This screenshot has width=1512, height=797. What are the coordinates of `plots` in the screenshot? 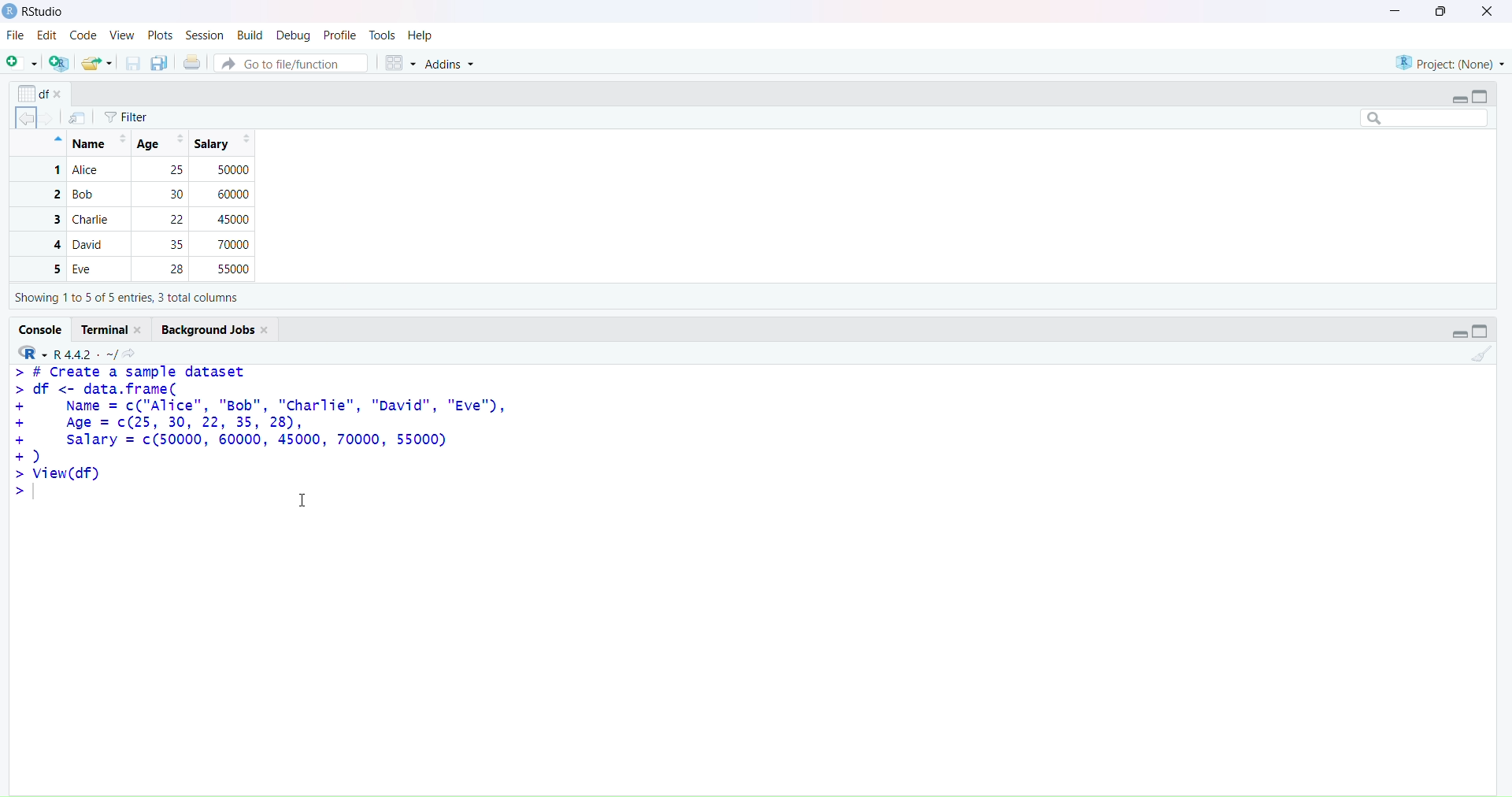 It's located at (160, 35).